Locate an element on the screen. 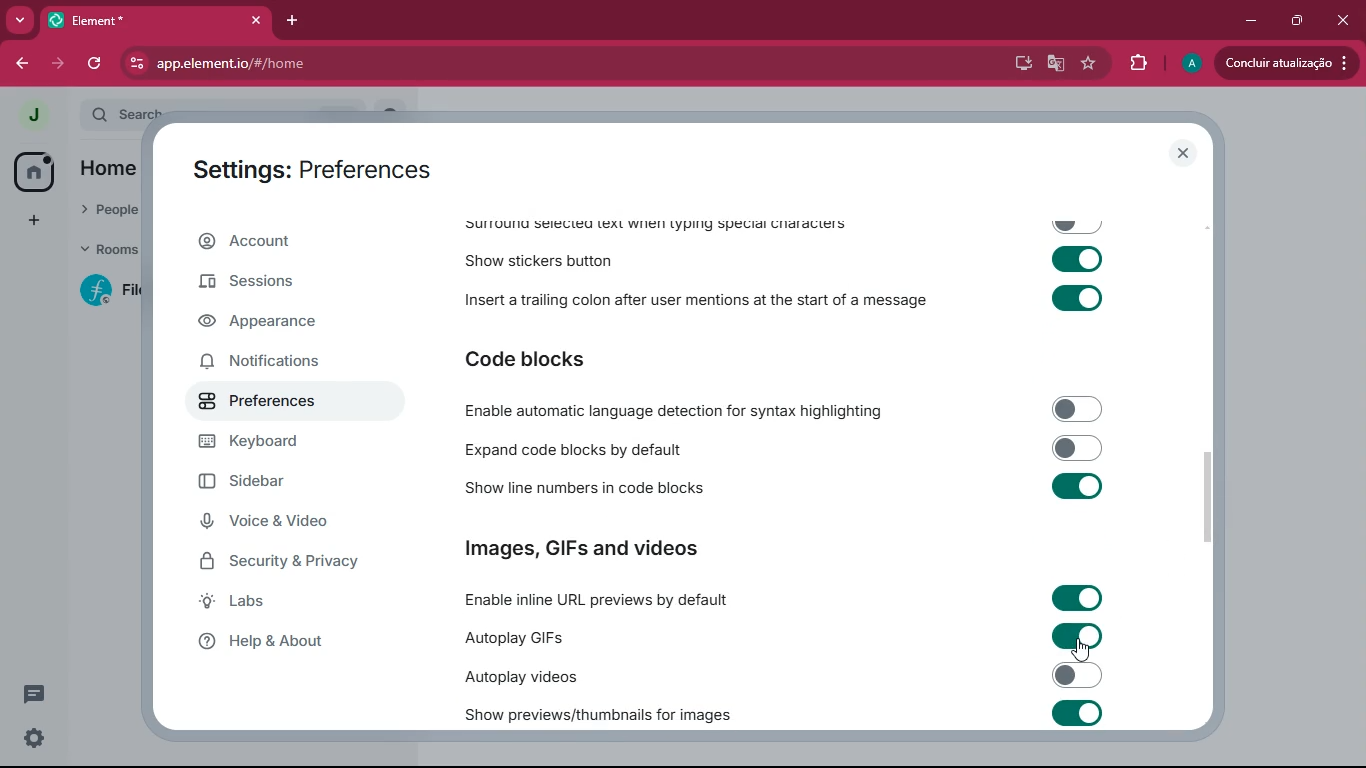 The image size is (1366, 768). account is located at coordinates (287, 241).